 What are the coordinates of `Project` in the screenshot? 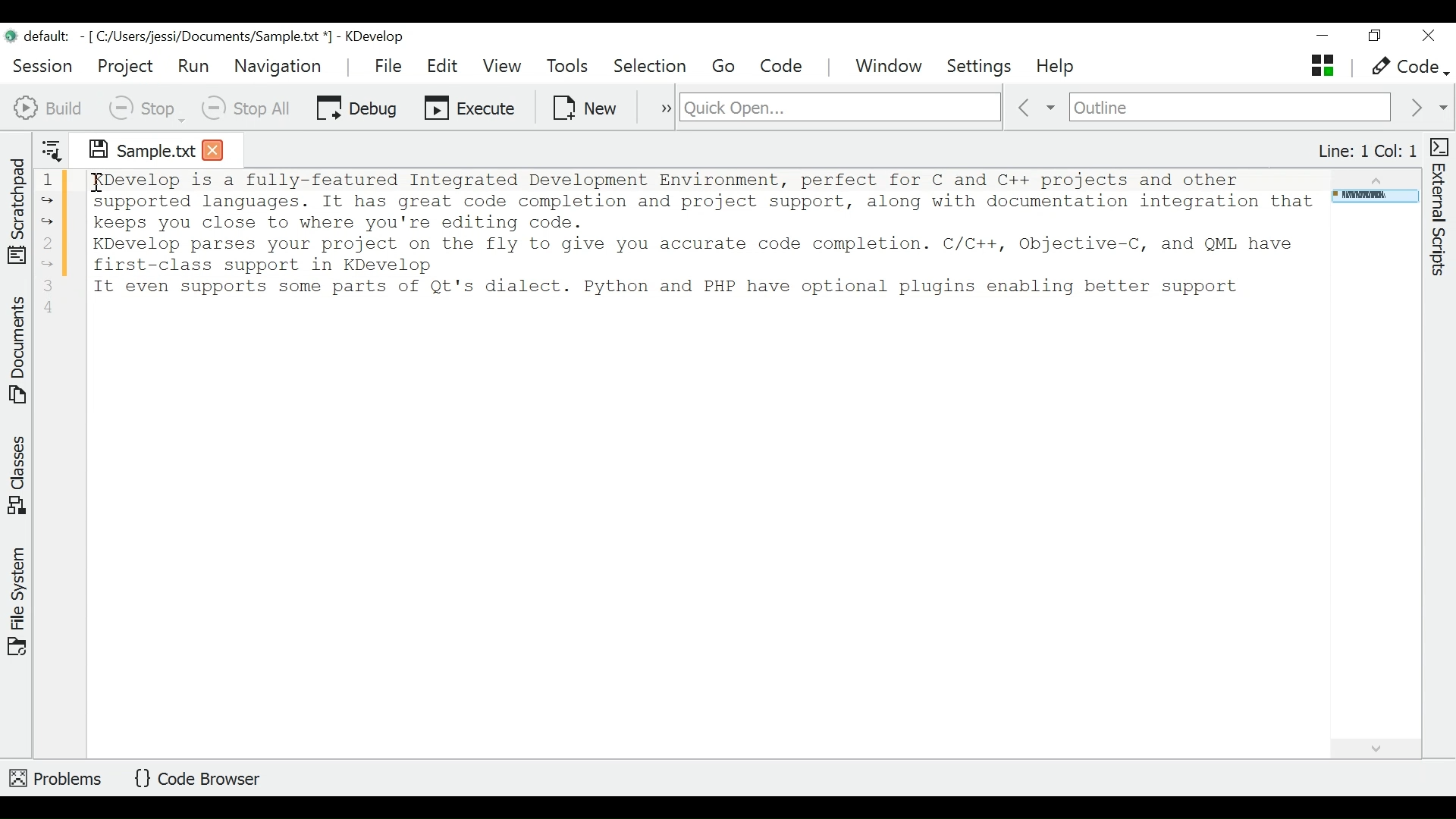 It's located at (124, 66).